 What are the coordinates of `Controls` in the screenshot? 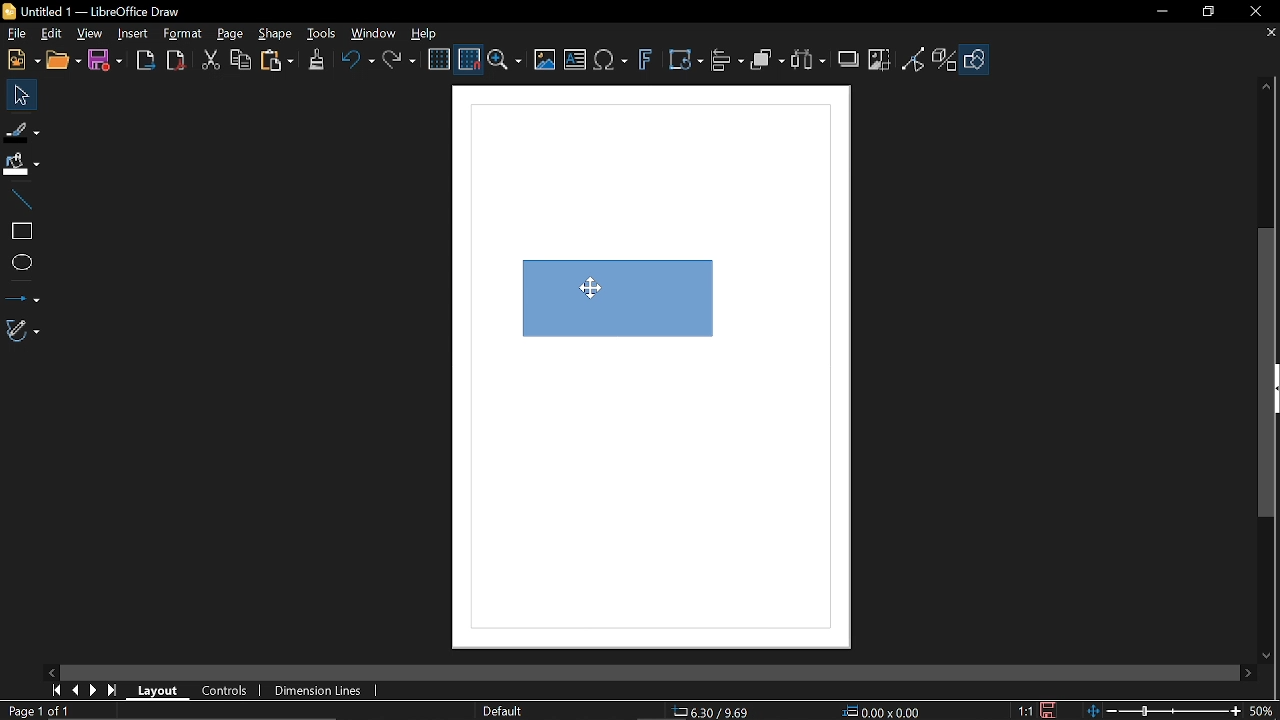 It's located at (226, 690).